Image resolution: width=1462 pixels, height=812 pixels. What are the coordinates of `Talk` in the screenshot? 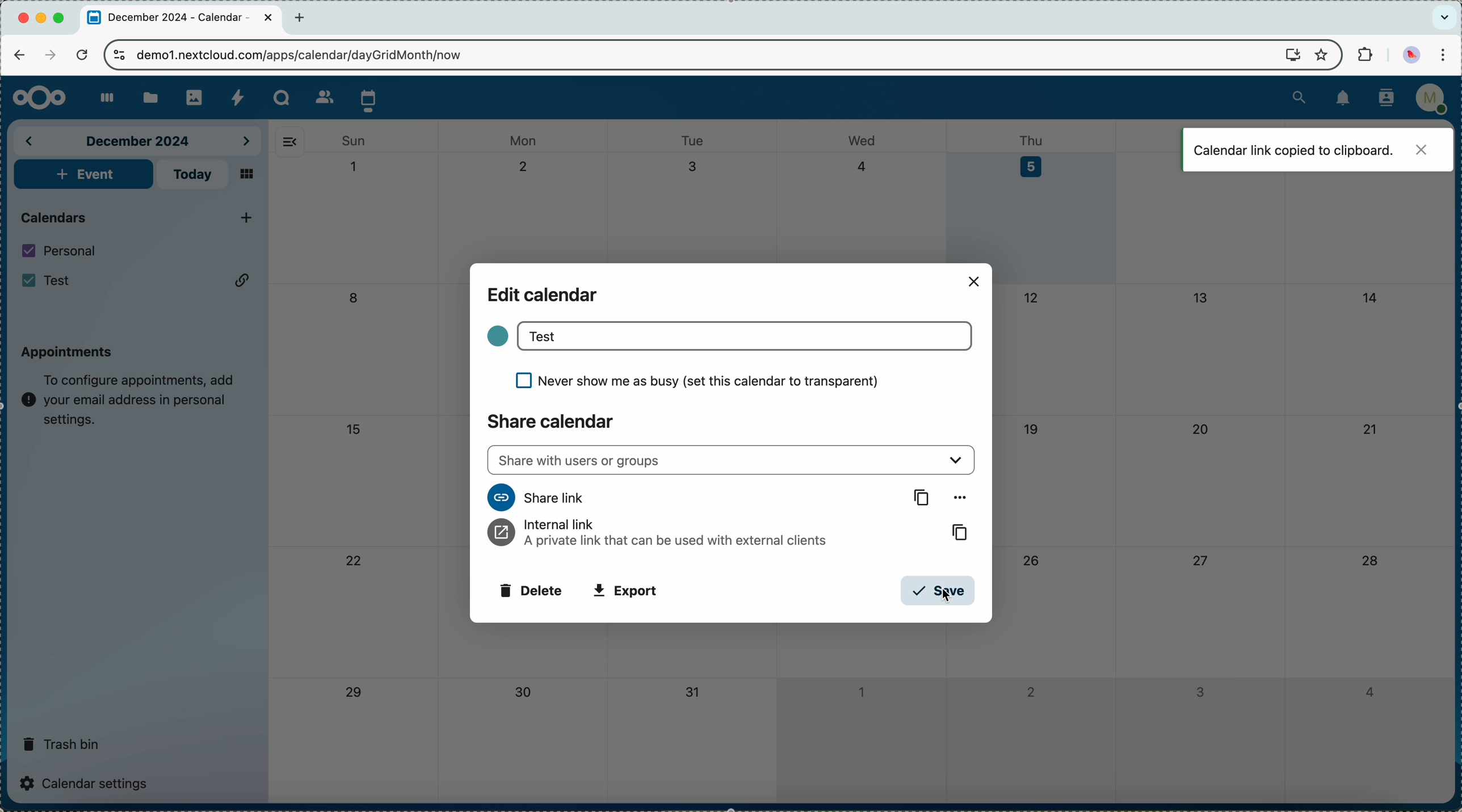 It's located at (282, 98).